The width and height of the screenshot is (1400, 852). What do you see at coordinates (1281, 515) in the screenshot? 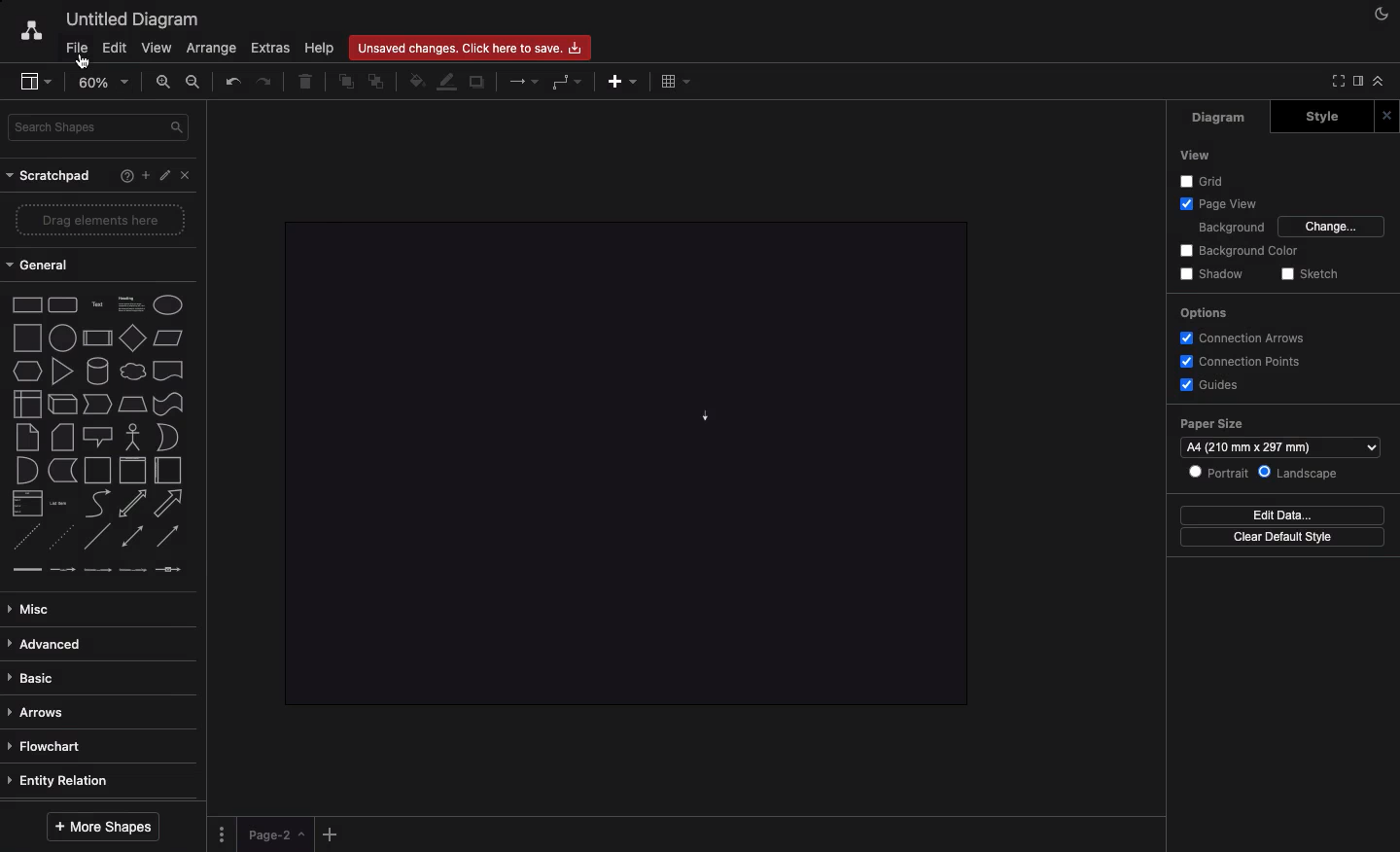
I see `Edit data` at bounding box center [1281, 515].